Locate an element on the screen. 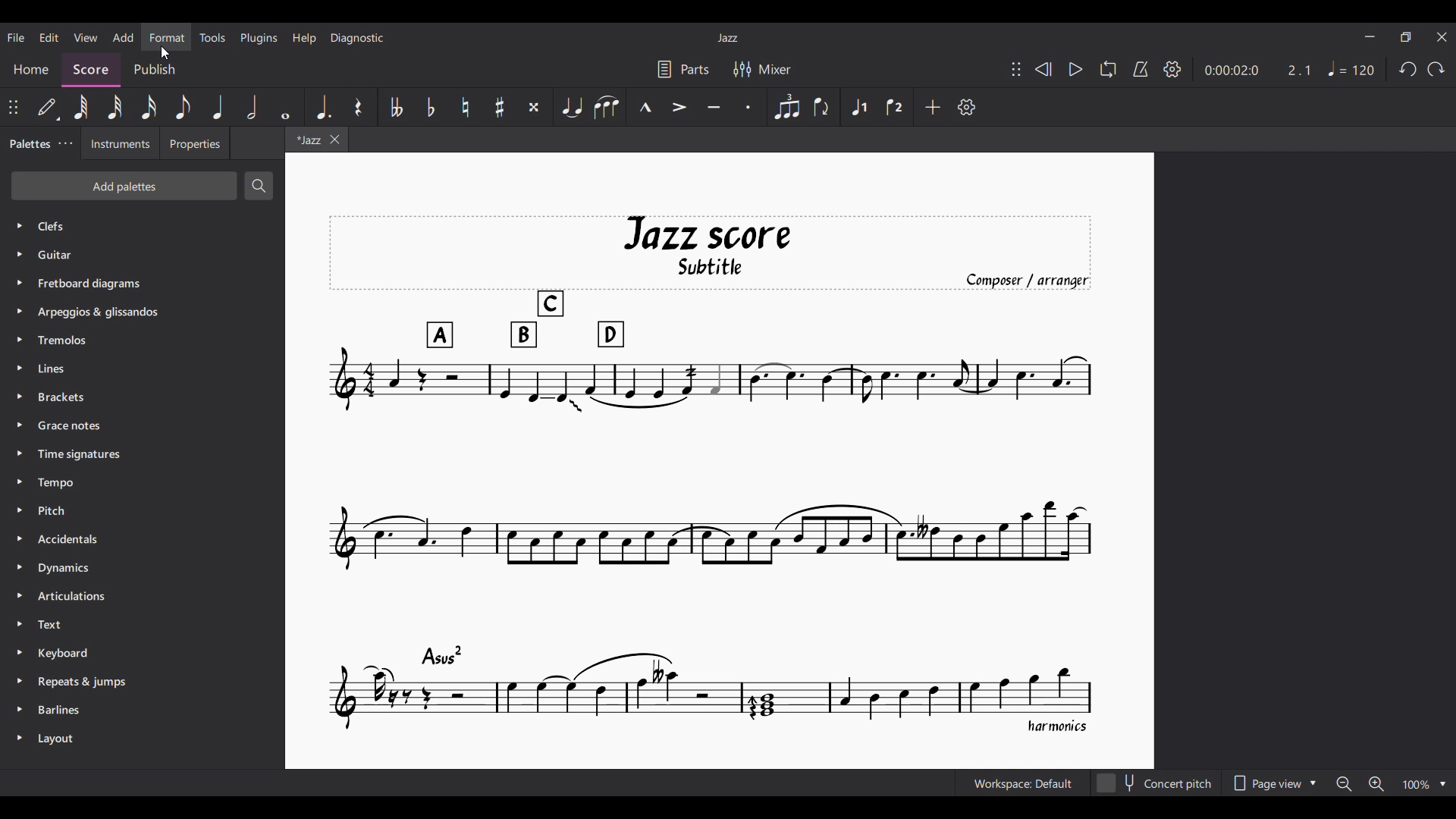 This screenshot has height=819, width=1456. Text is located at coordinates (52, 626).